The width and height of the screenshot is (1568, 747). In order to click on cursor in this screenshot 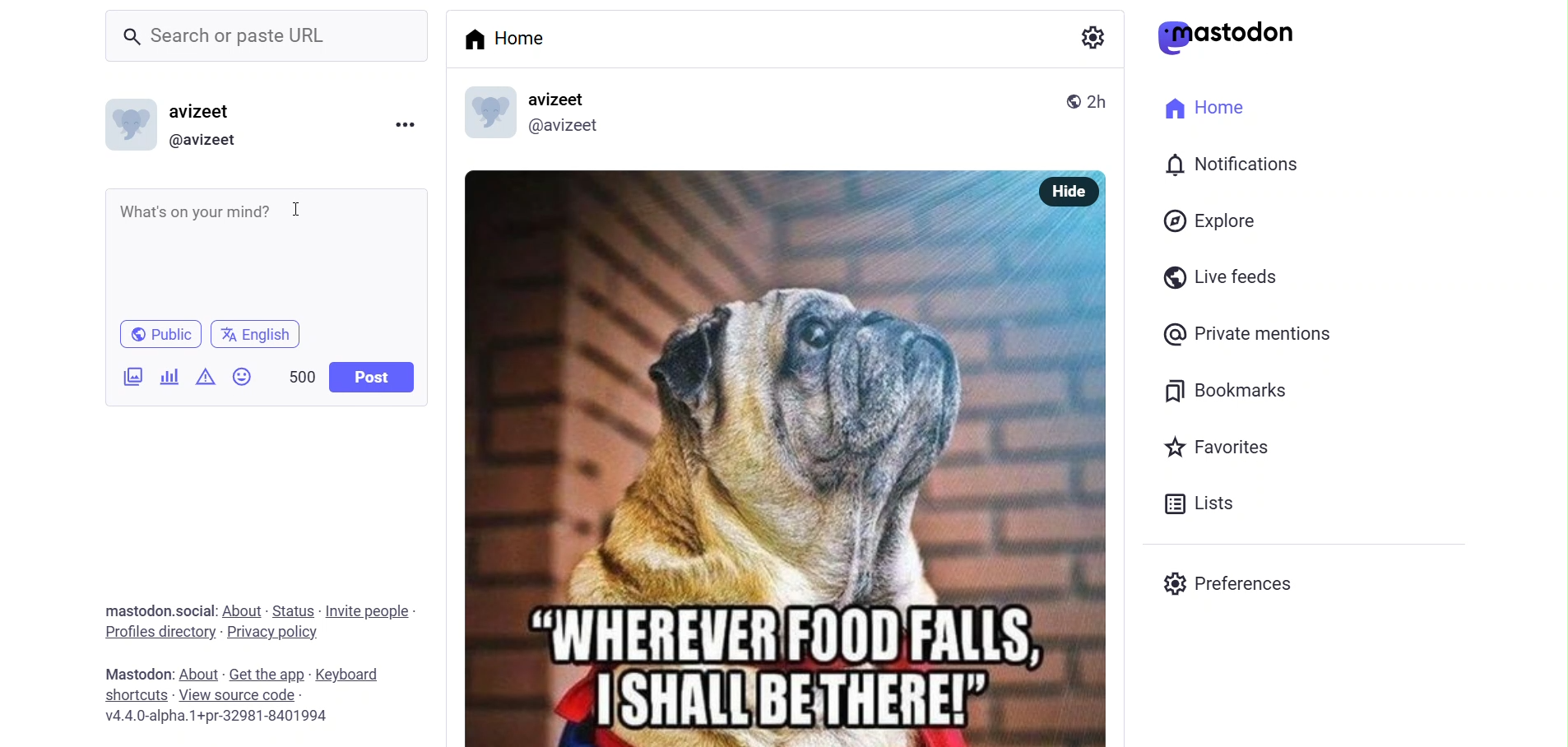, I will do `click(296, 208)`.